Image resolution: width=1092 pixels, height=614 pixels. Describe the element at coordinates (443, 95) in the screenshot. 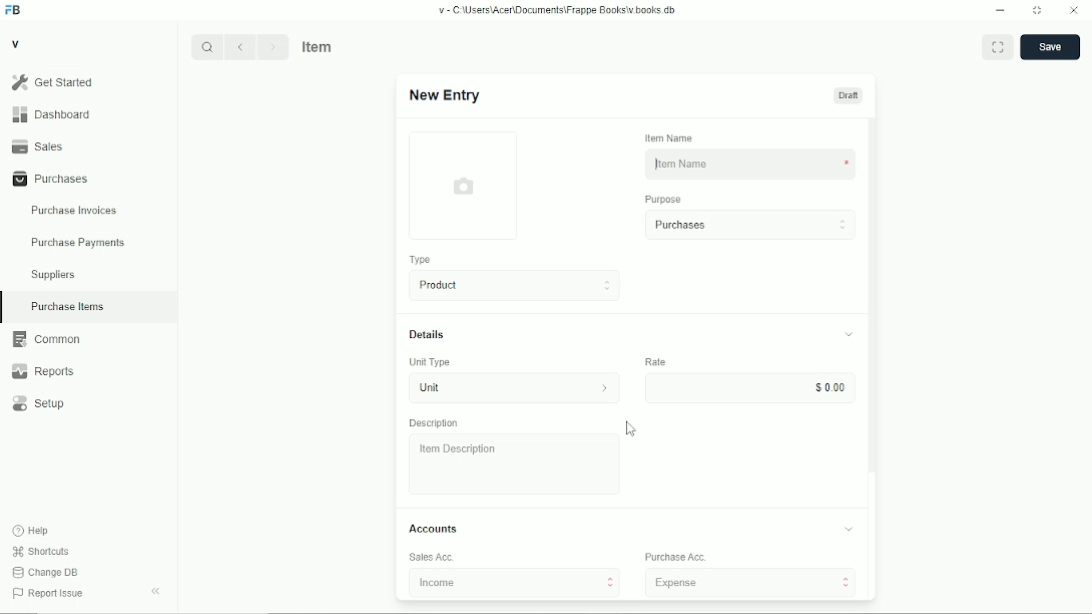

I see `new entry` at that location.